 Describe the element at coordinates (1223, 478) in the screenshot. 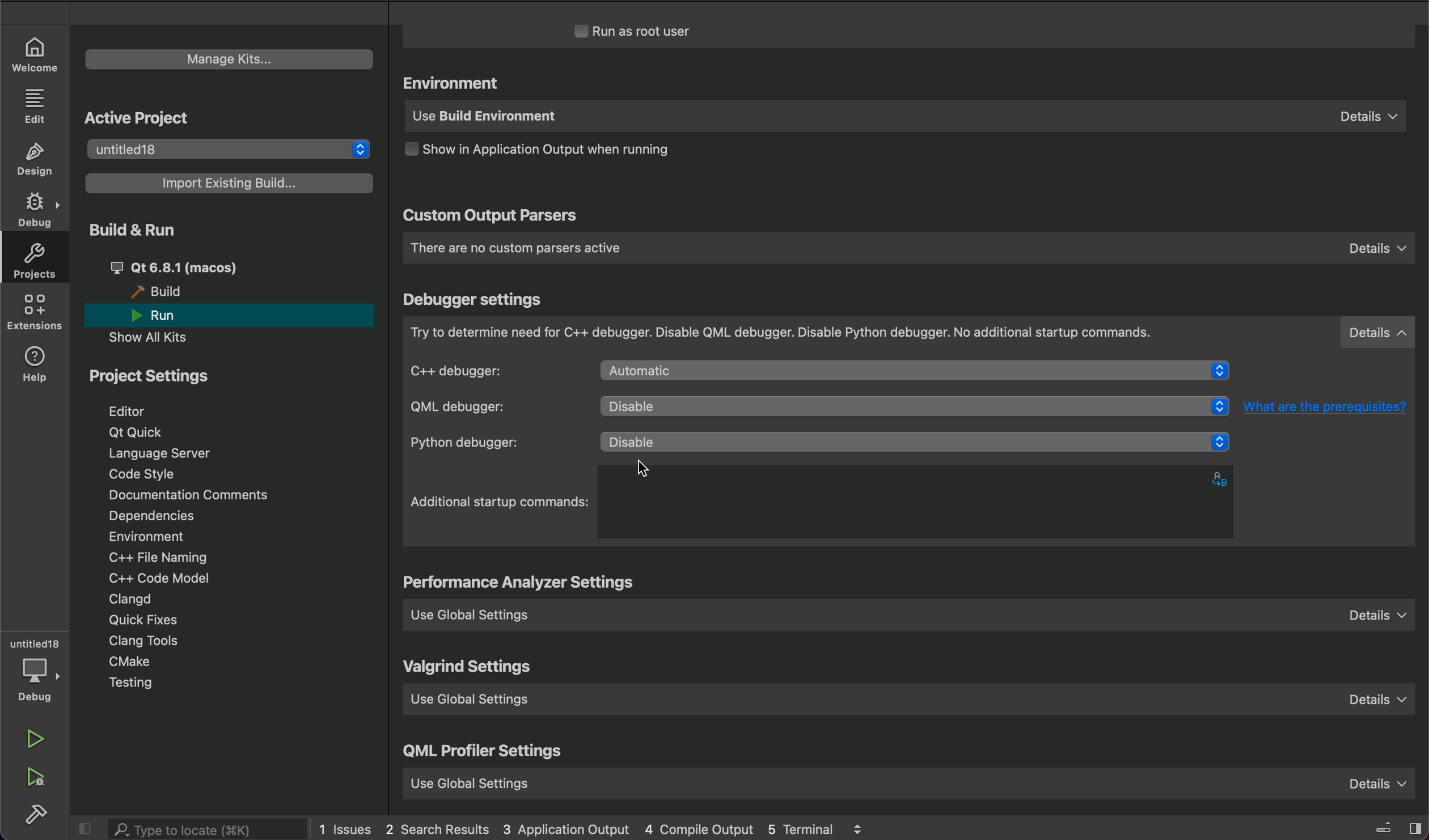

I see `alphabets` at that location.